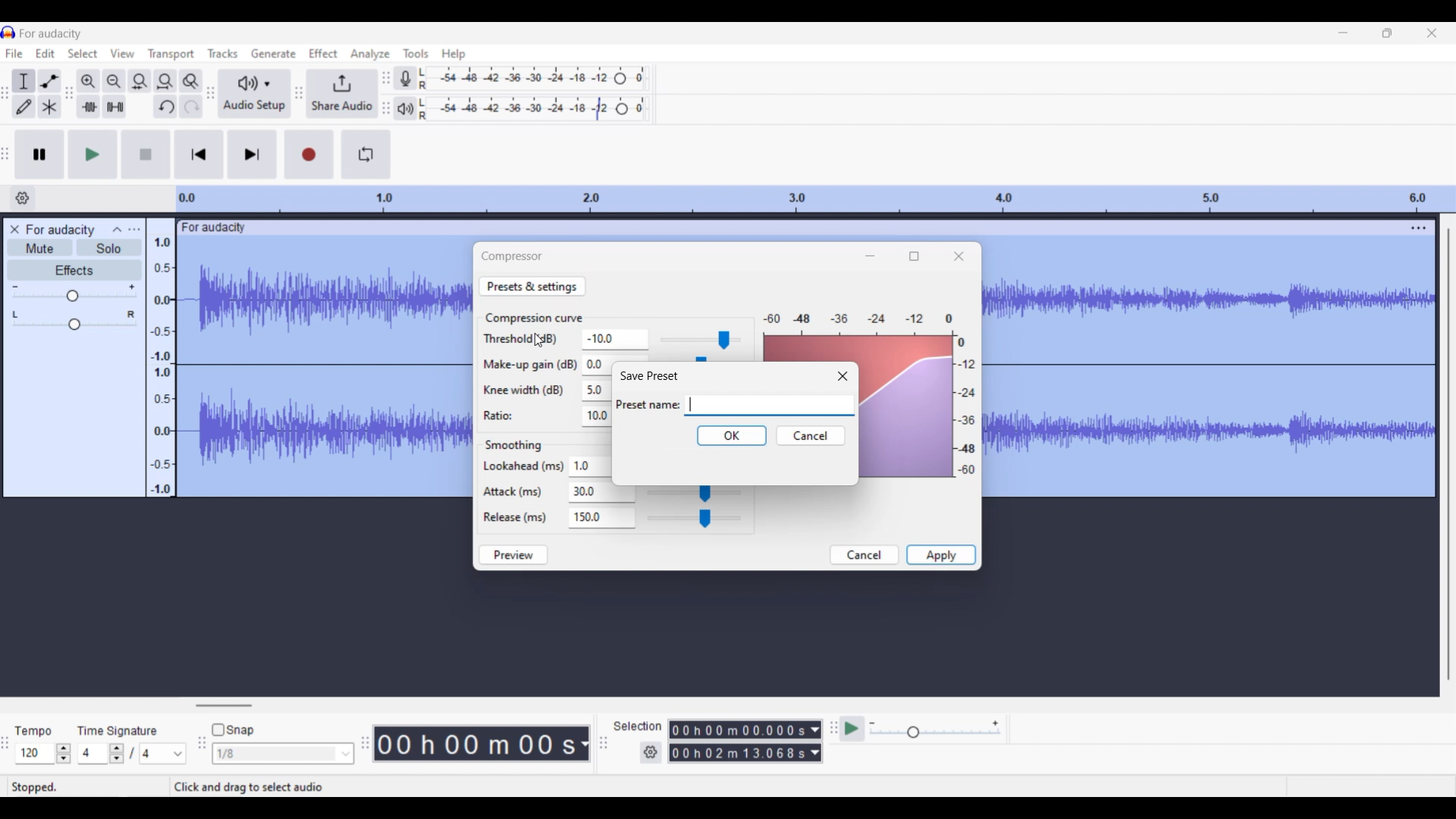  I want to click on 1/8, so click(284, 753).